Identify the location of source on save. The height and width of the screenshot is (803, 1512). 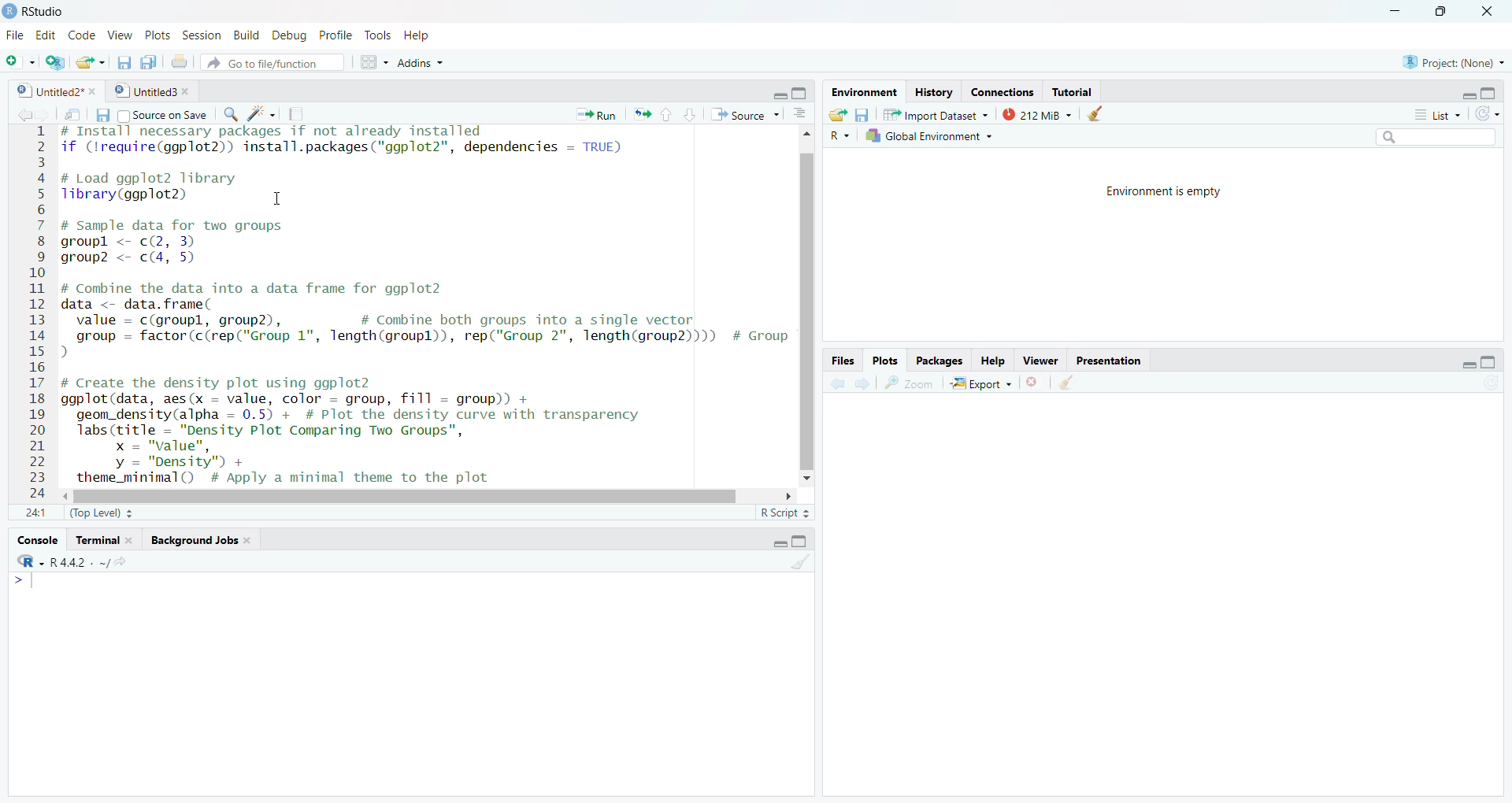
(164, 115).